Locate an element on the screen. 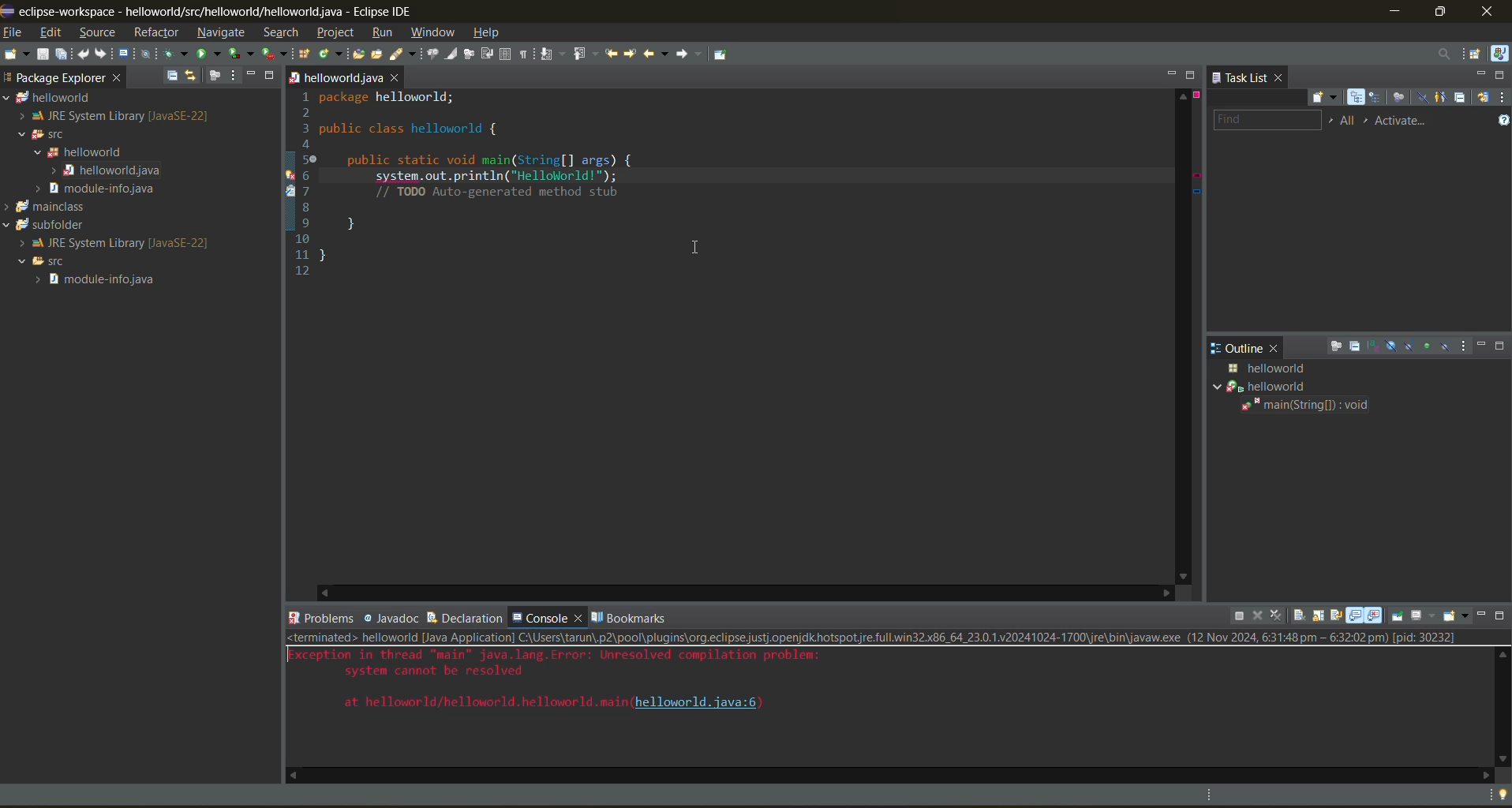 The height and width of the screenshot is (808, 1512). show tasks UI legend is located at coordinates (1503, 119).